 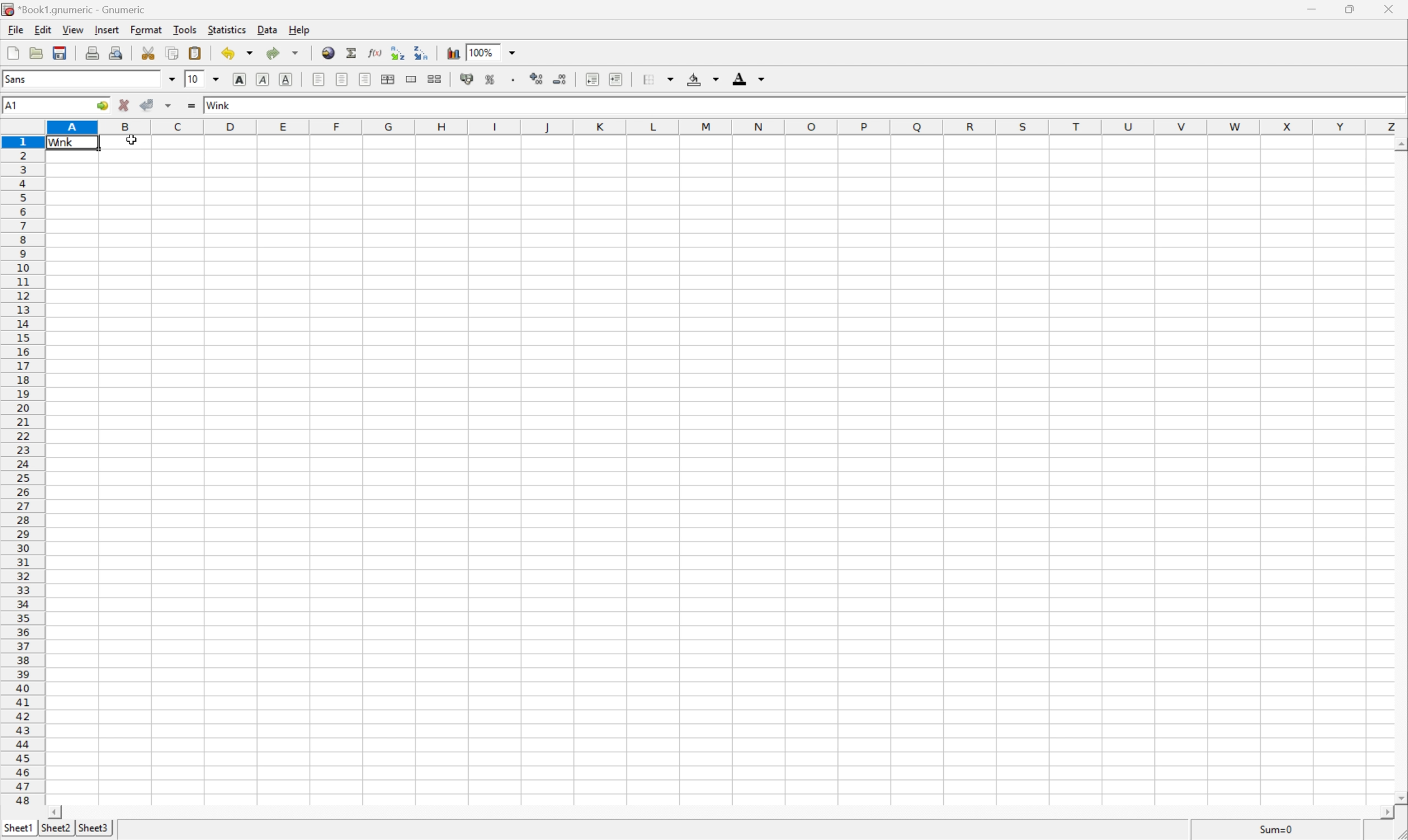 What do you see at coordinates (106, 32) in the screenshot?
I see `insert` at bounding box center [106, 32].